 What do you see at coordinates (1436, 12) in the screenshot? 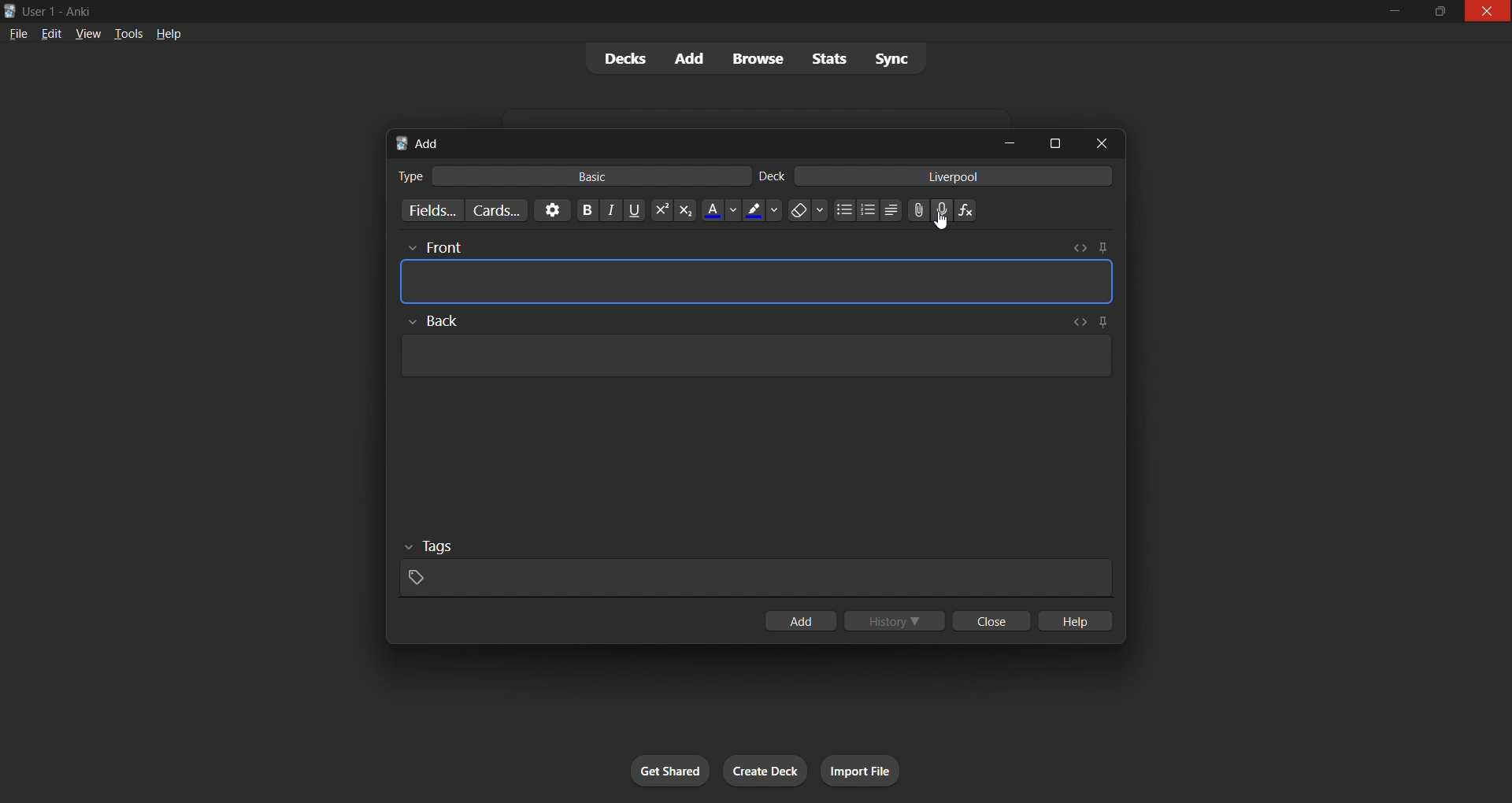
I see `maximize/restore` at bounding box center [1436, 12].